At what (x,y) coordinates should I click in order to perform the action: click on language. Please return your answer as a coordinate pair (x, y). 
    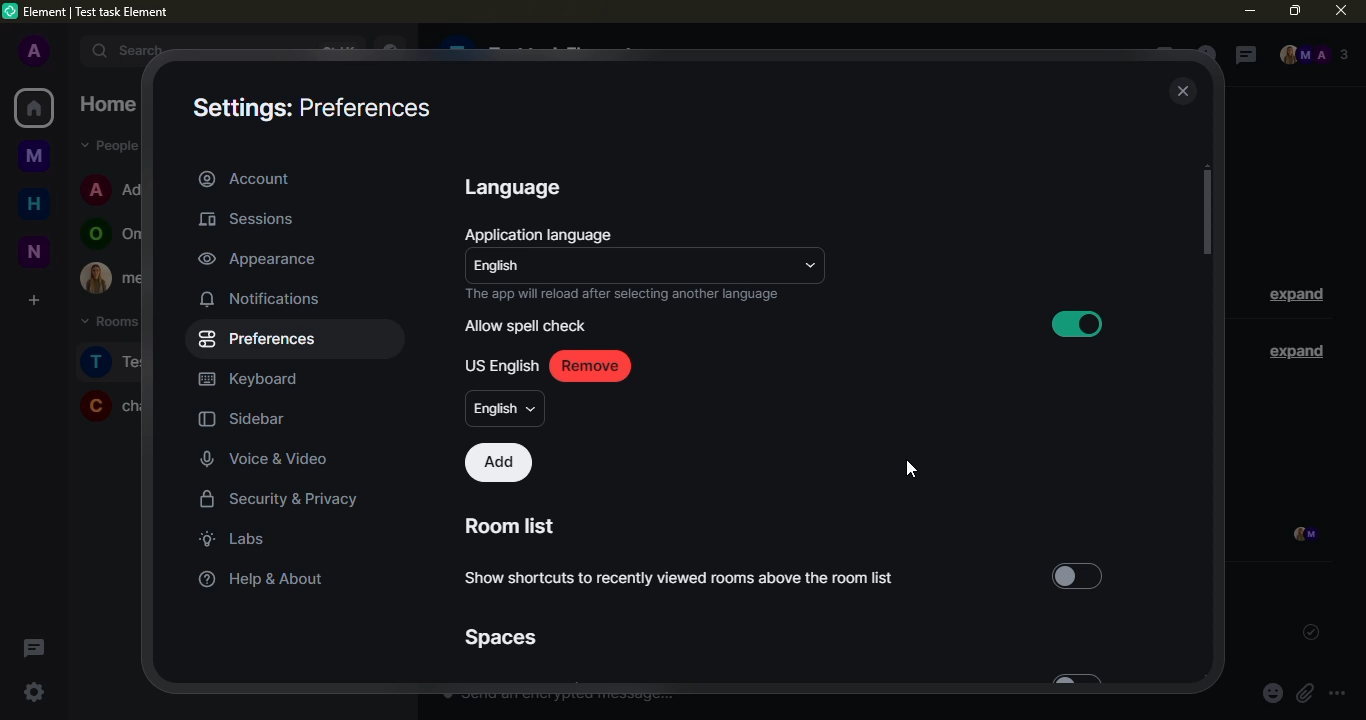
    Looking at the image, I should click on (513, 189).